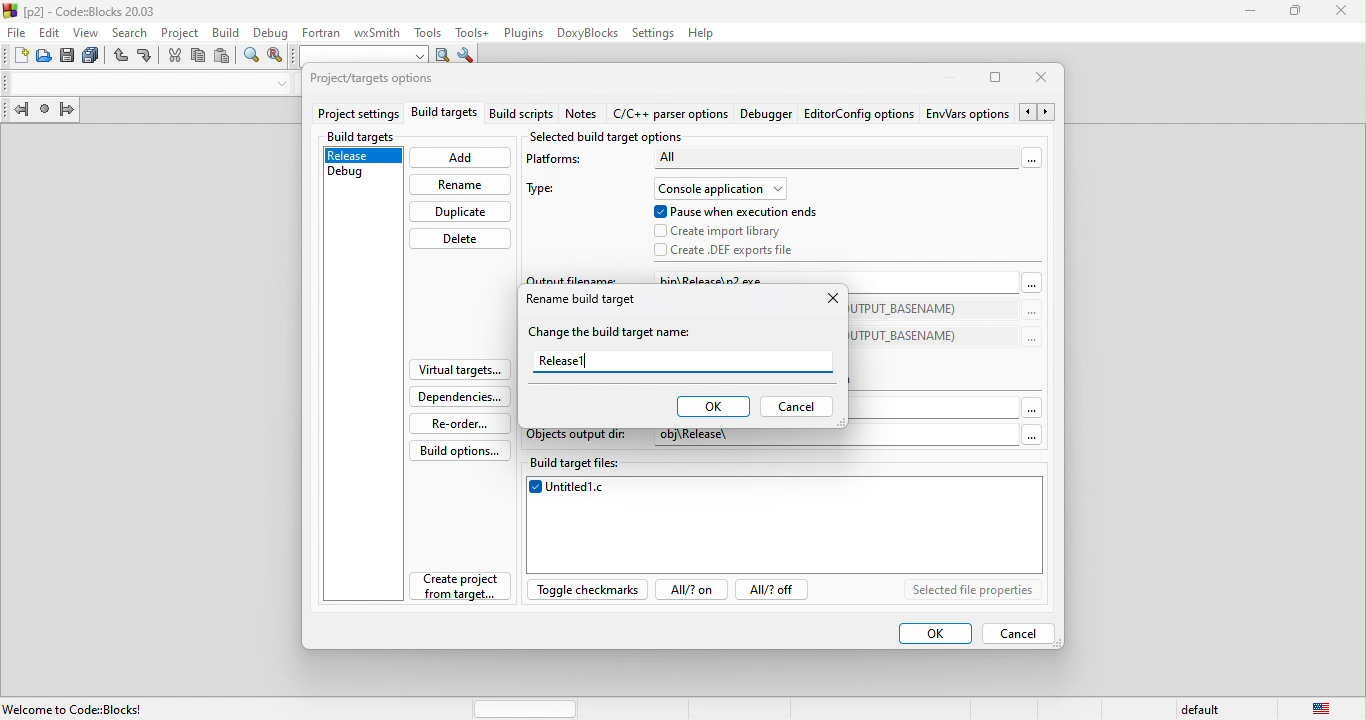 The width and height of the screenshot is (1366, 720). I want to click on united state, so click(1323, 709).